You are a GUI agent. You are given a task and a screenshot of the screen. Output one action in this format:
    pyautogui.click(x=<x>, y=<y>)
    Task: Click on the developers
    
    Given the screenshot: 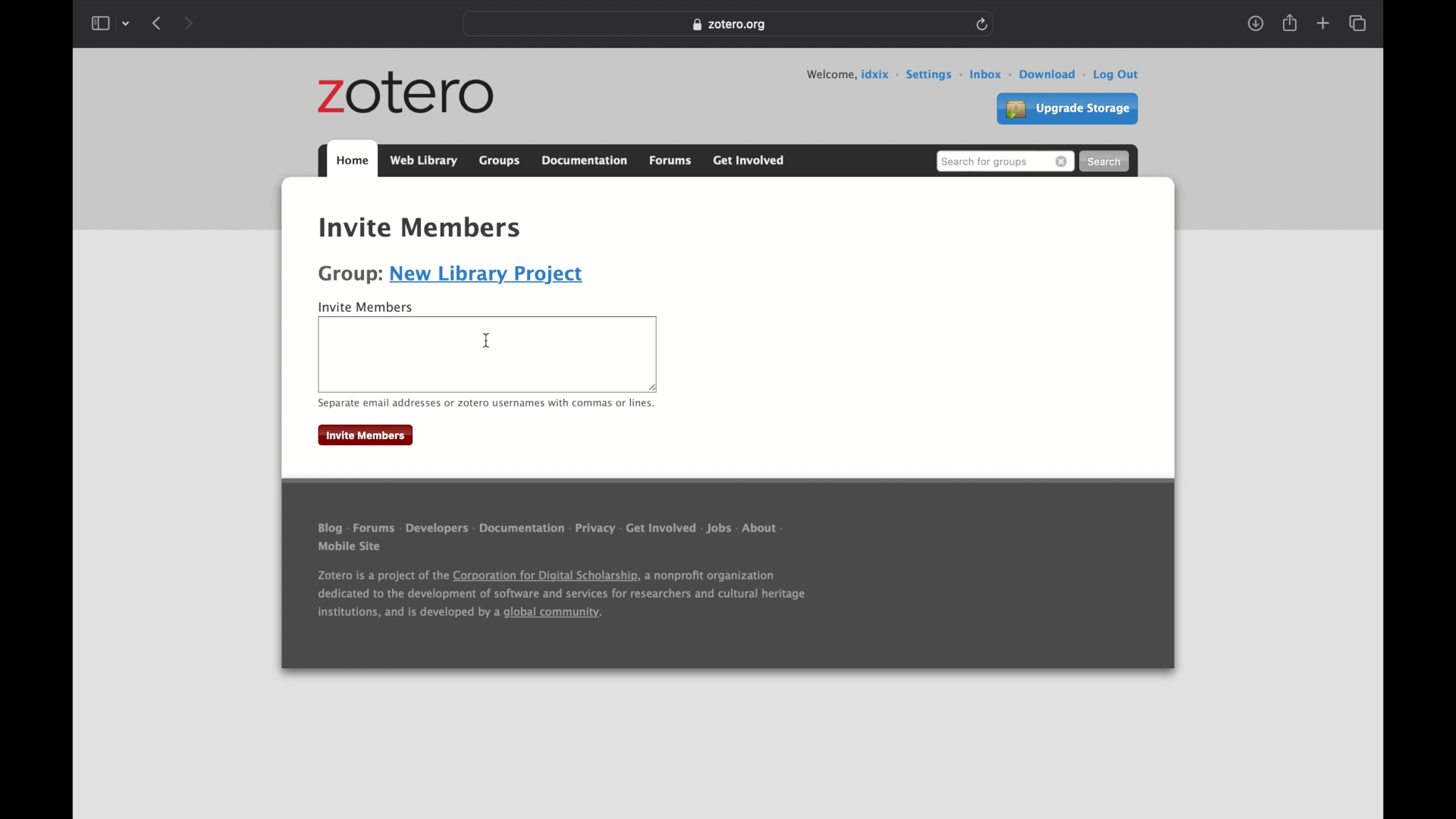 What is the action you would take?
    pyautogui.click(x=439, y=526)
    